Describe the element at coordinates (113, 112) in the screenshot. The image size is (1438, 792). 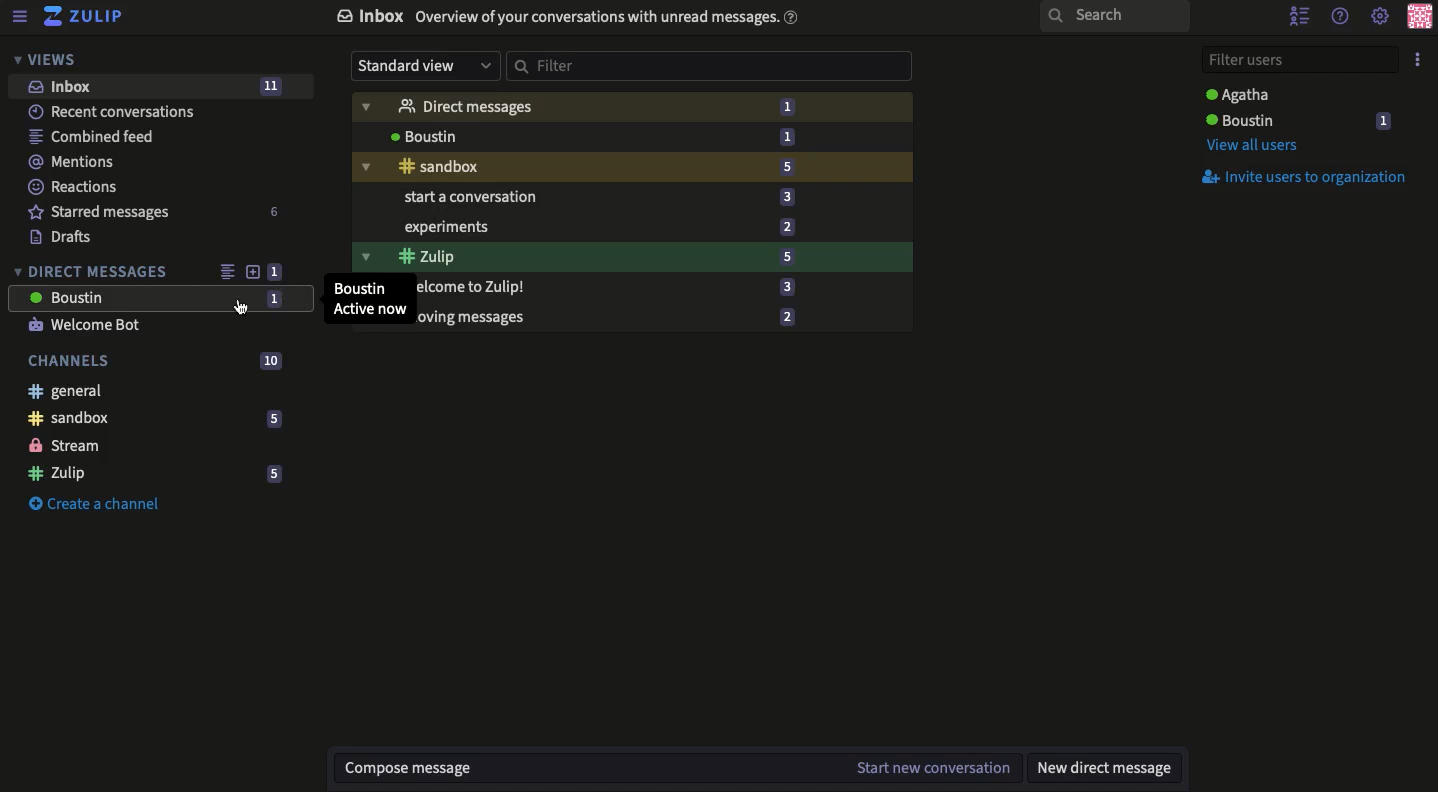
I see `Recent conversations` at that location.